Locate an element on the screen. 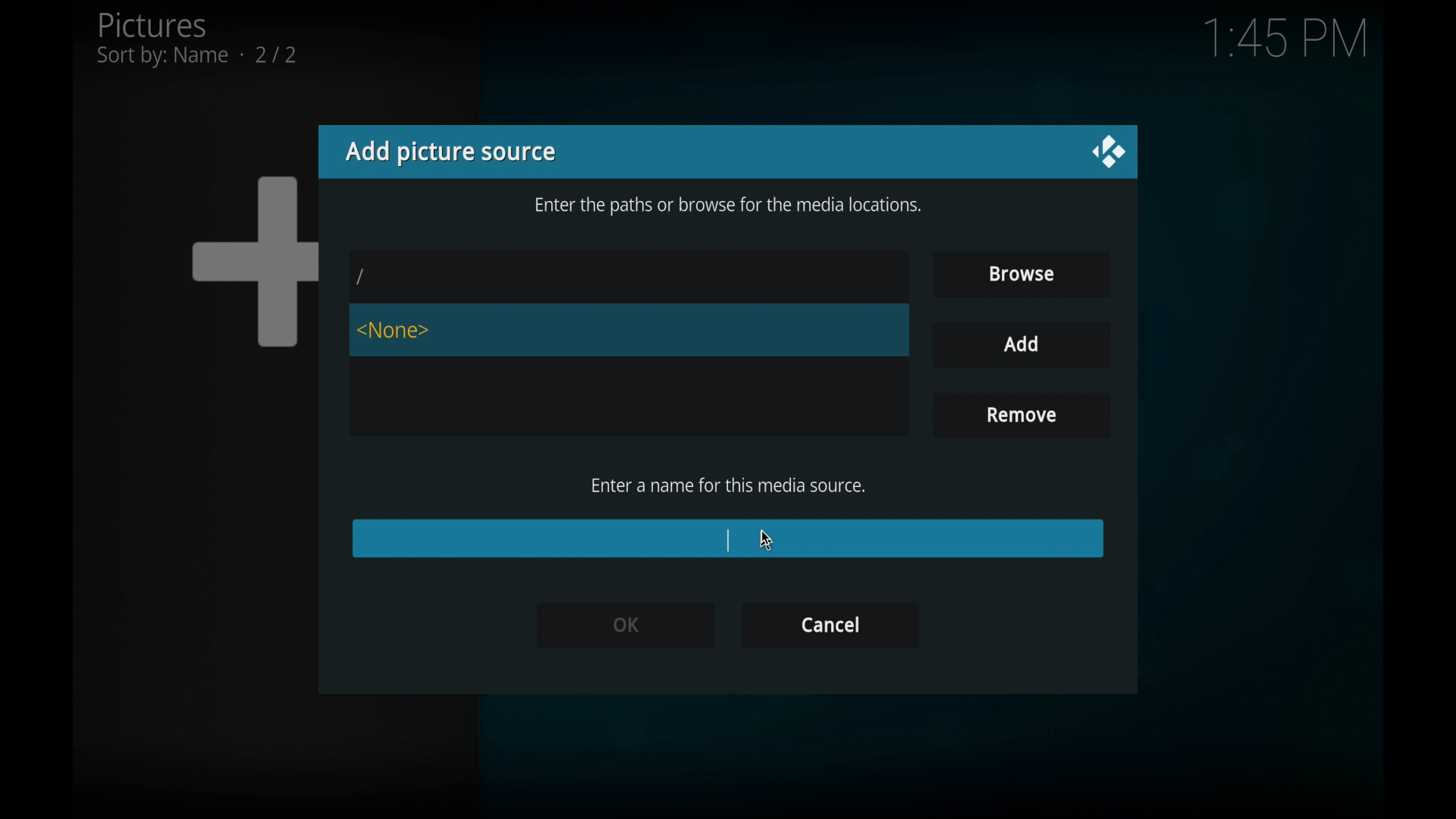 Image resolution: width=1456 pixels, height=819 pixels. cursor is located at coordinates (765, 540).